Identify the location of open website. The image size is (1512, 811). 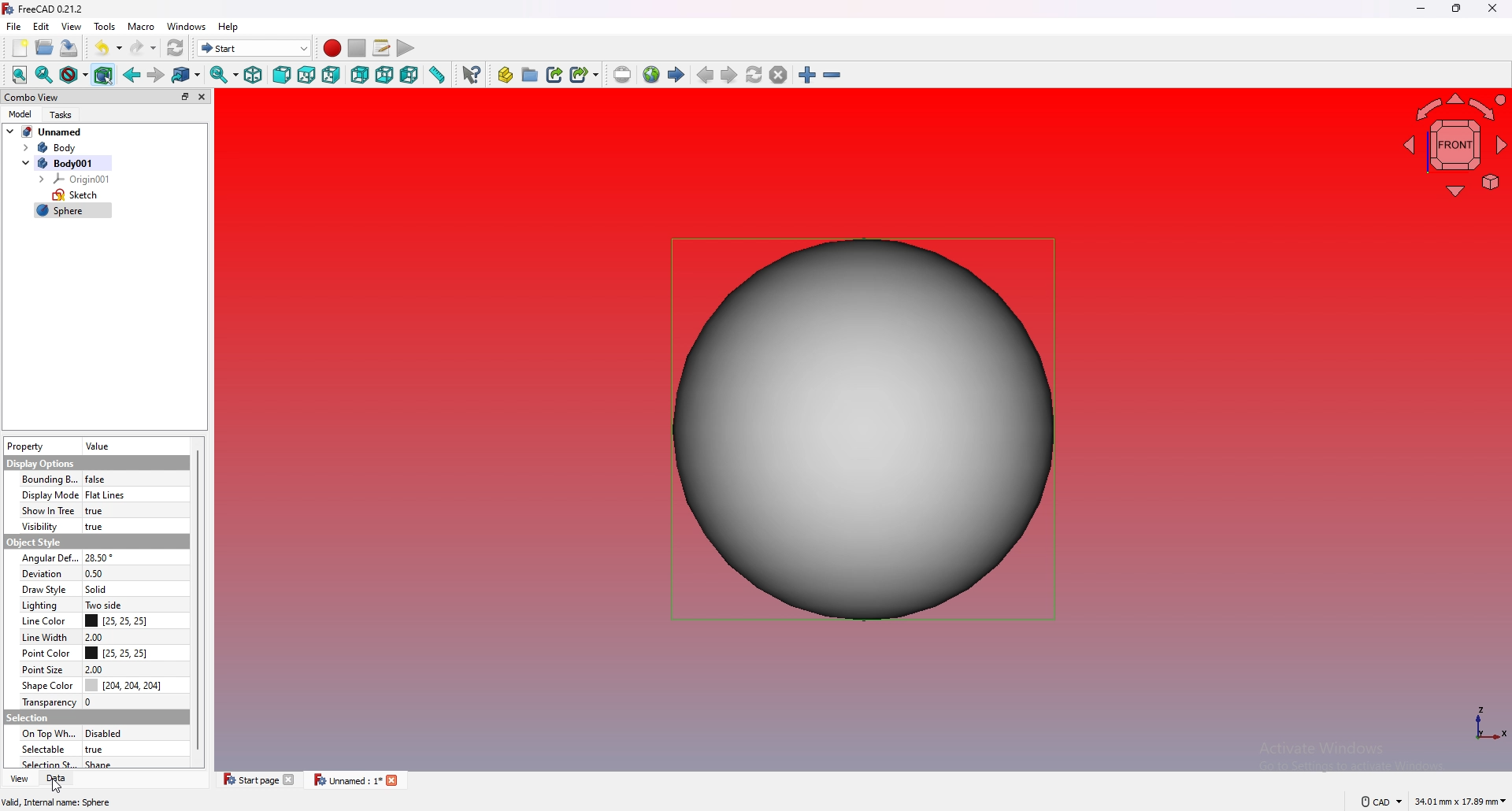
(651, 75).